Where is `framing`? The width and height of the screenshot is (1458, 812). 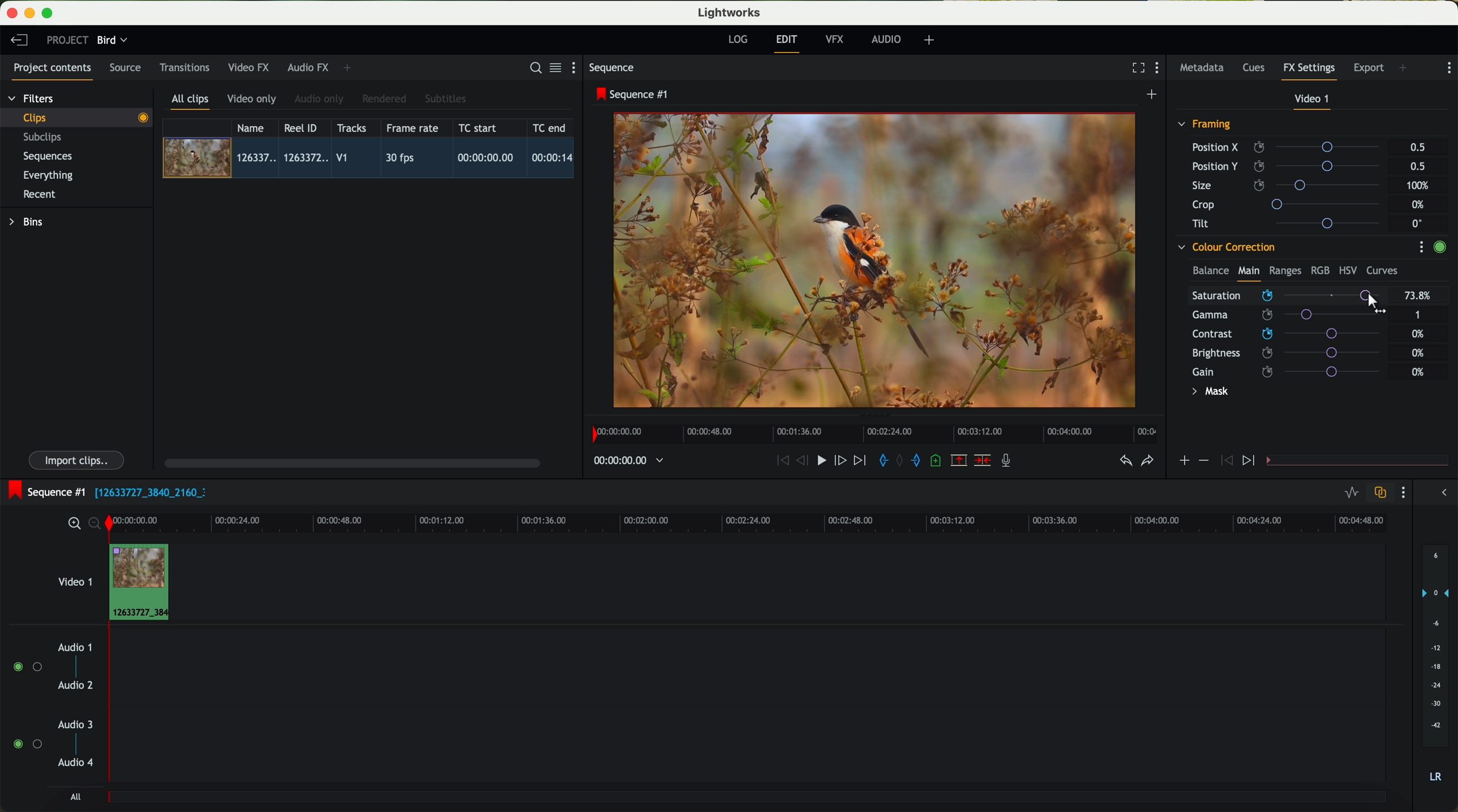 framing is located at coordinates (1205, 126).